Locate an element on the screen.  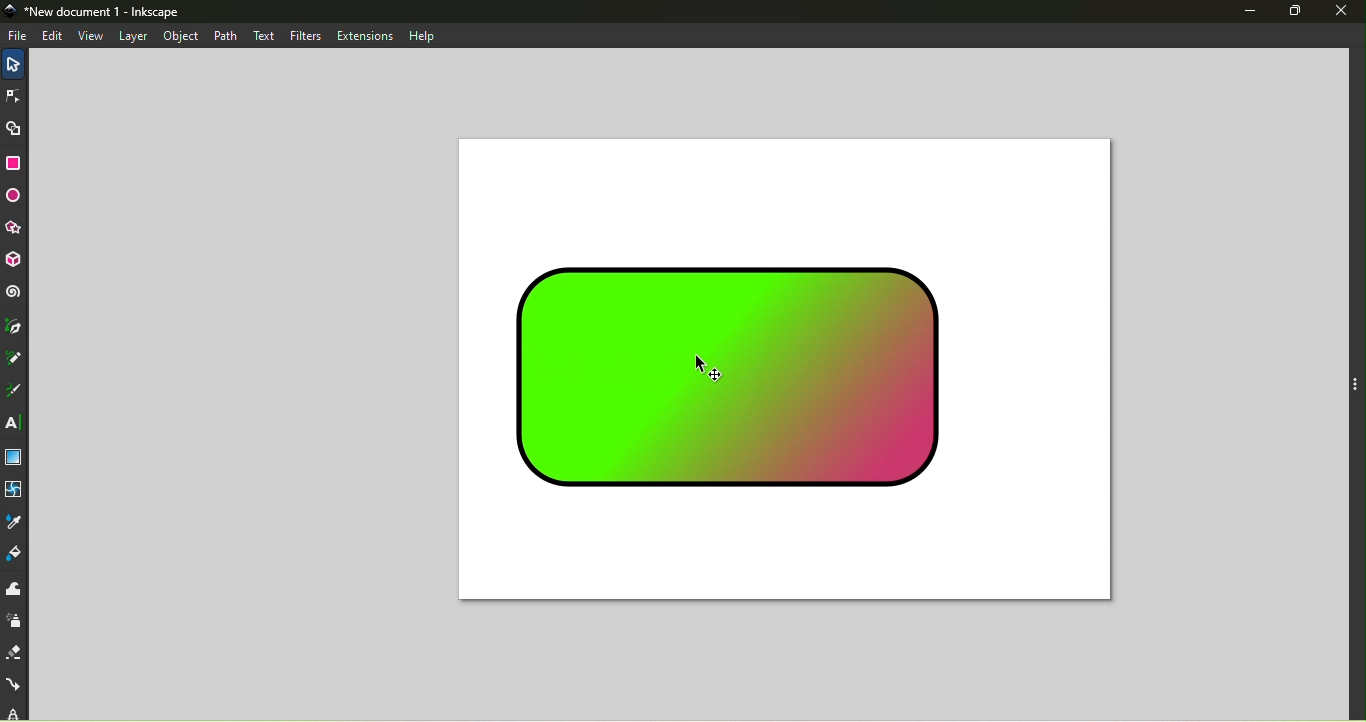
3D box tool is located at coordinates (17, 261).